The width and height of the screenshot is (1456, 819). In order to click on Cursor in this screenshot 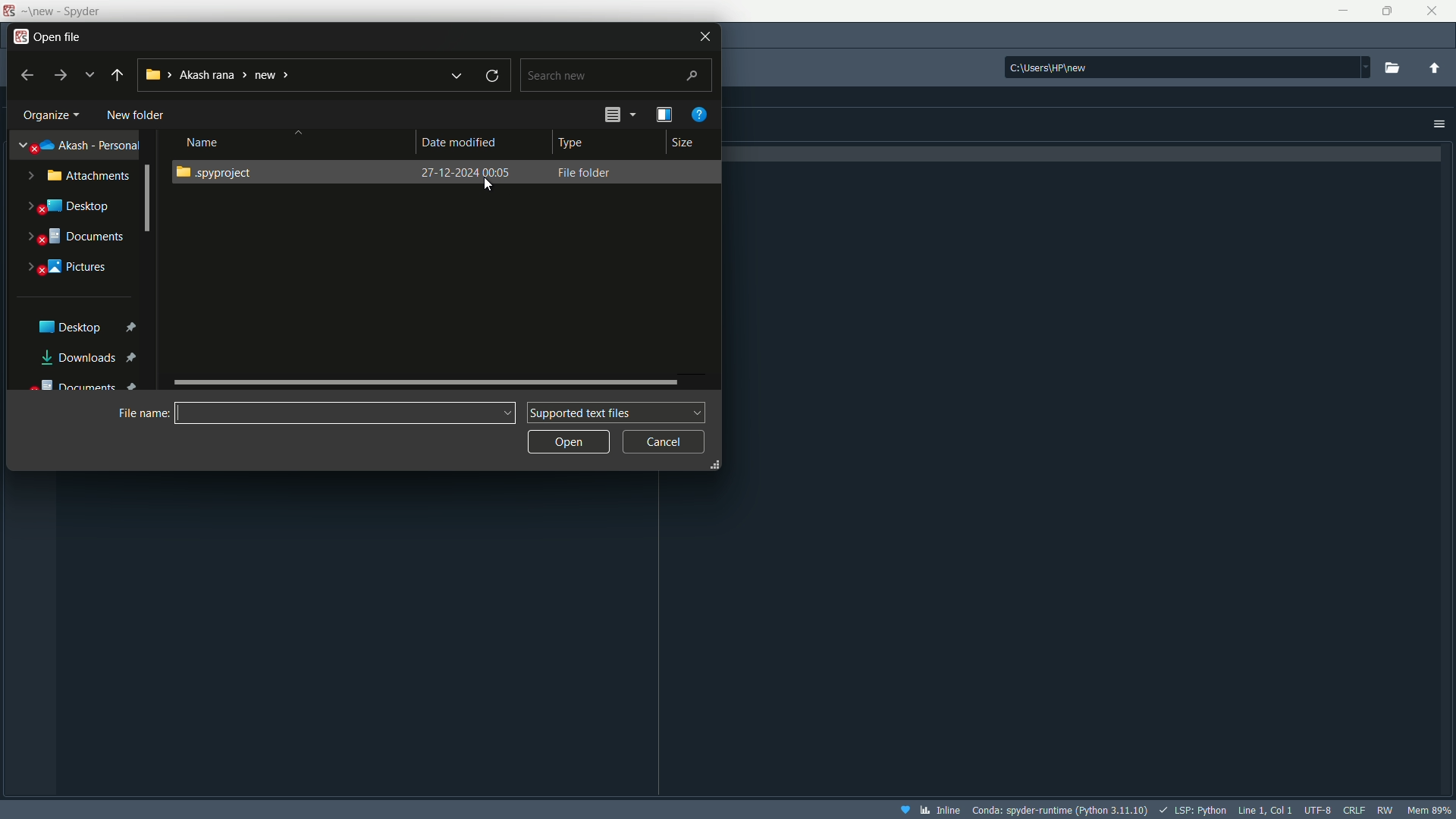, I will do `click(494, 184)`.